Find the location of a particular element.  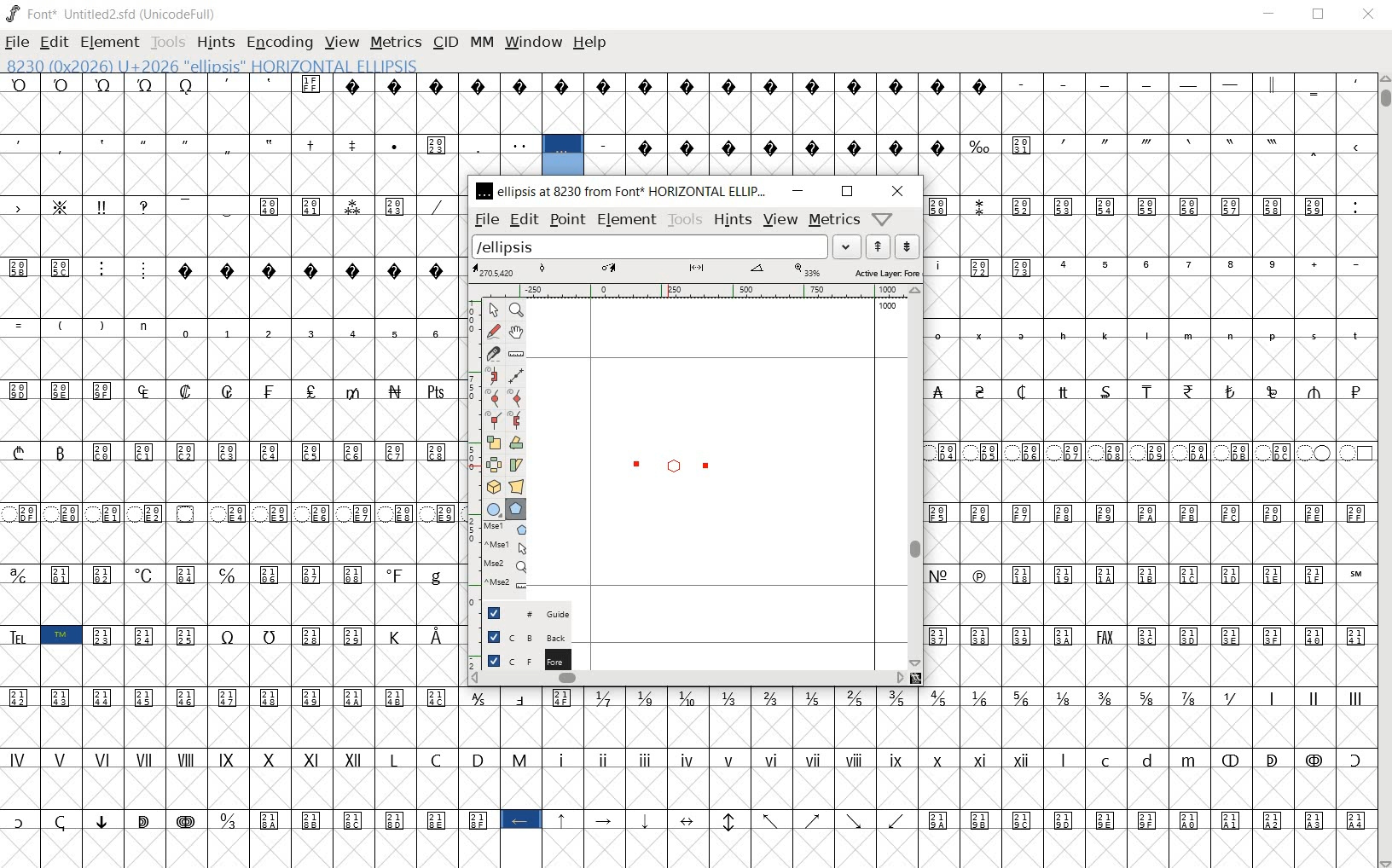

WINDOW is located at coordinates (532, 41).